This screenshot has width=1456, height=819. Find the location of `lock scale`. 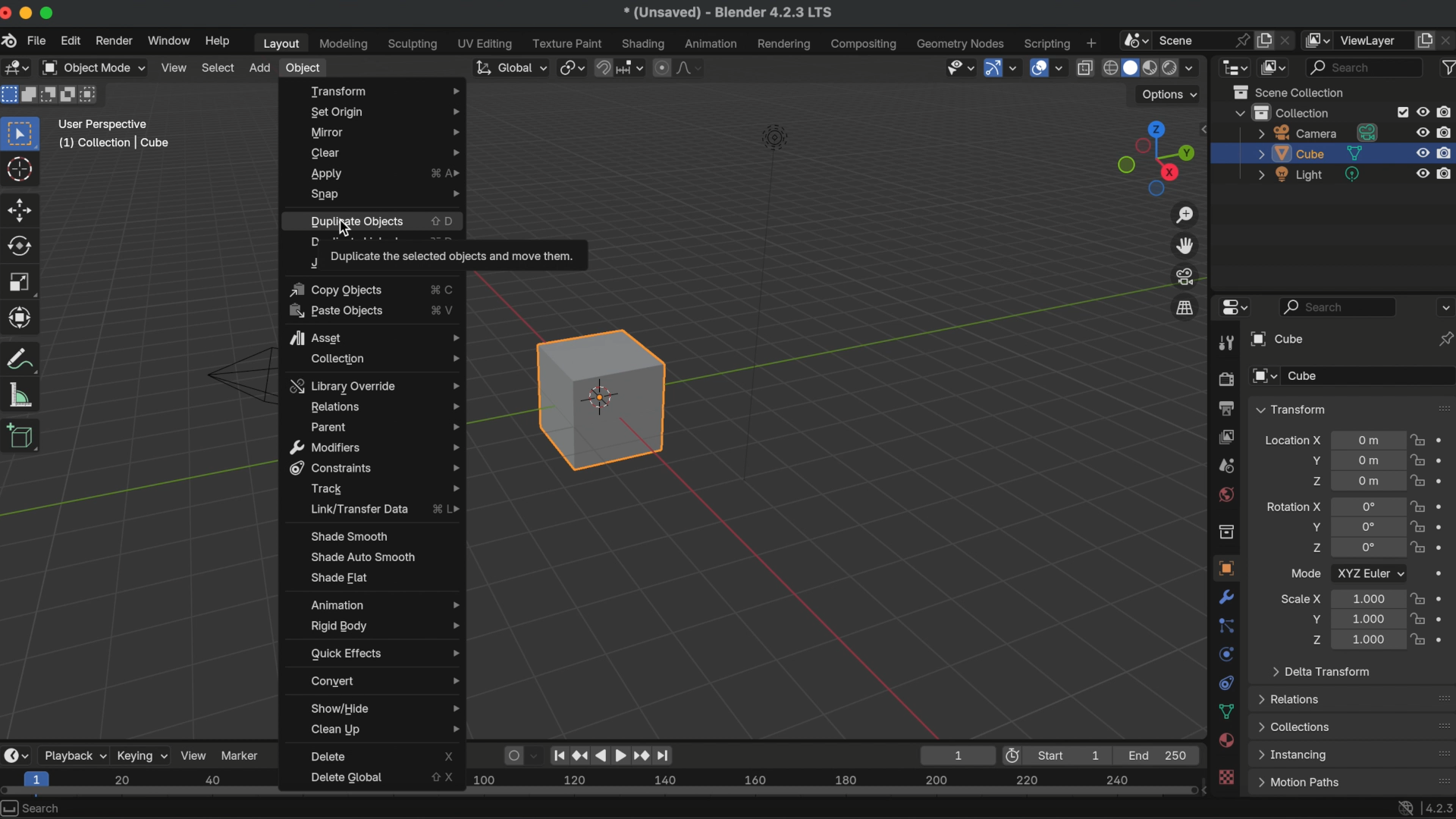

lock scale is located at coordinates (1417, 598).